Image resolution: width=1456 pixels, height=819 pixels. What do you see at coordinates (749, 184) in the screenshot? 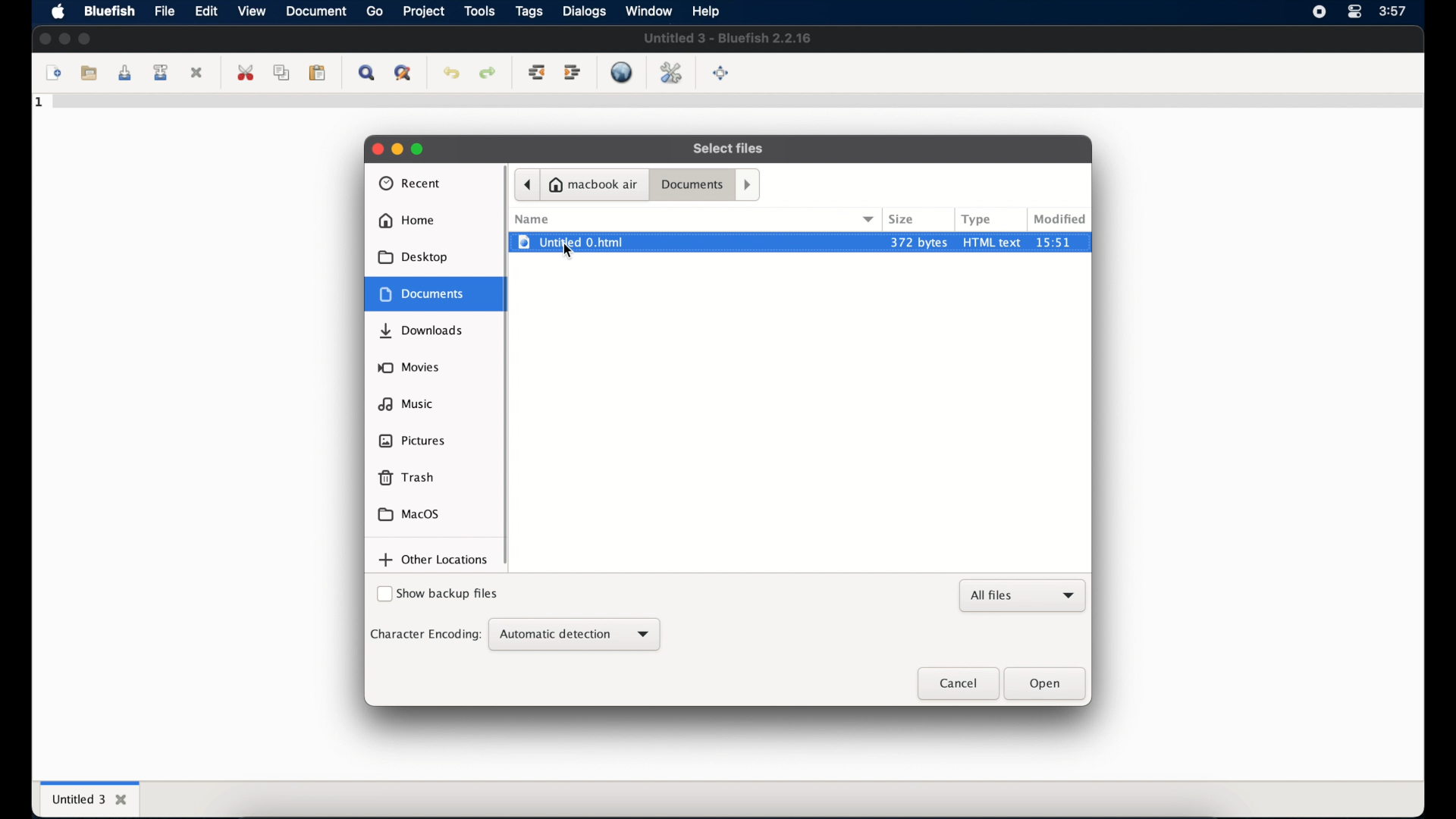
I see `next` at bounding box center [749, 184].